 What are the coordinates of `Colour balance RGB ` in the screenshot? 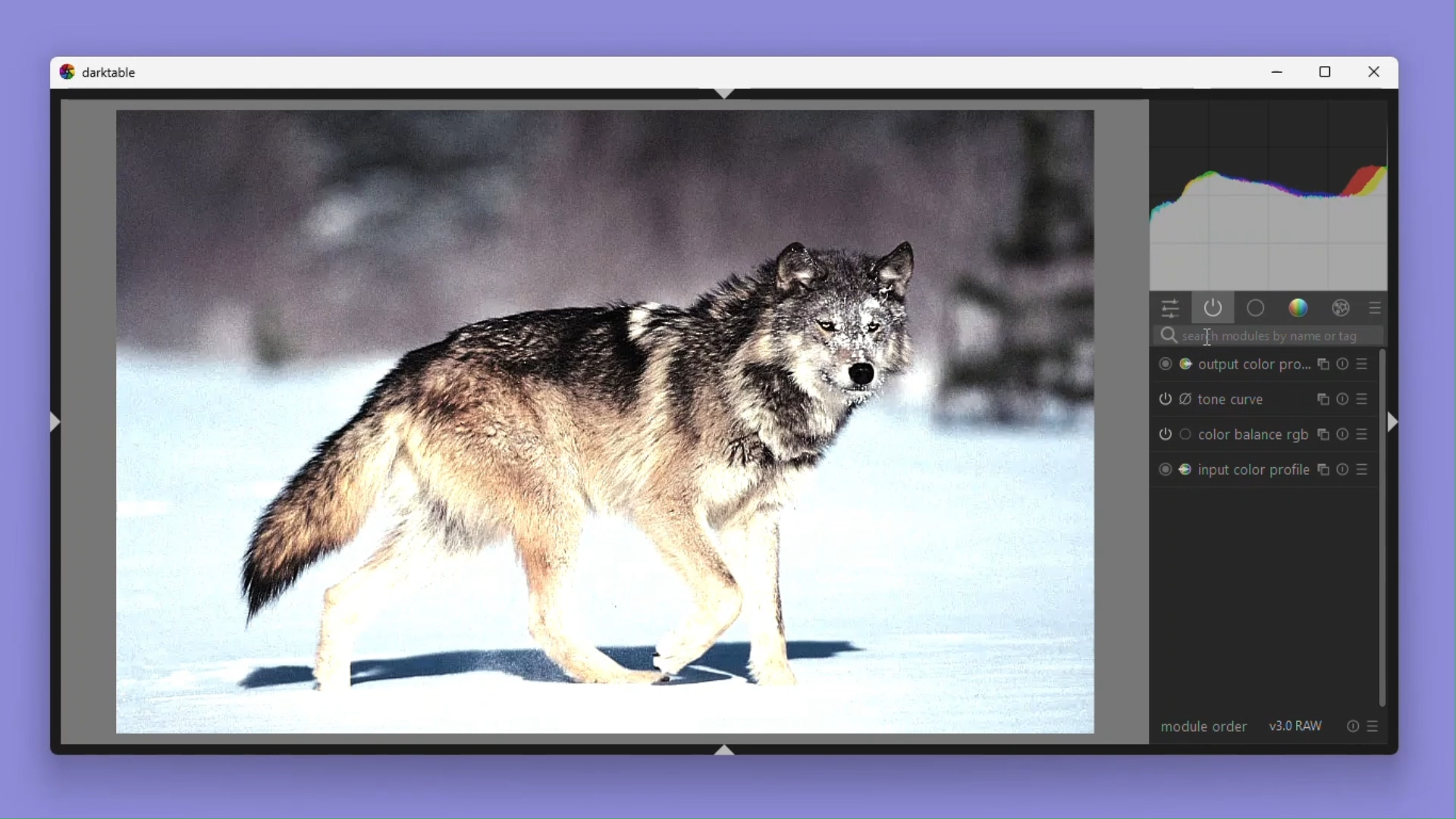 It's located at (1230, 434).